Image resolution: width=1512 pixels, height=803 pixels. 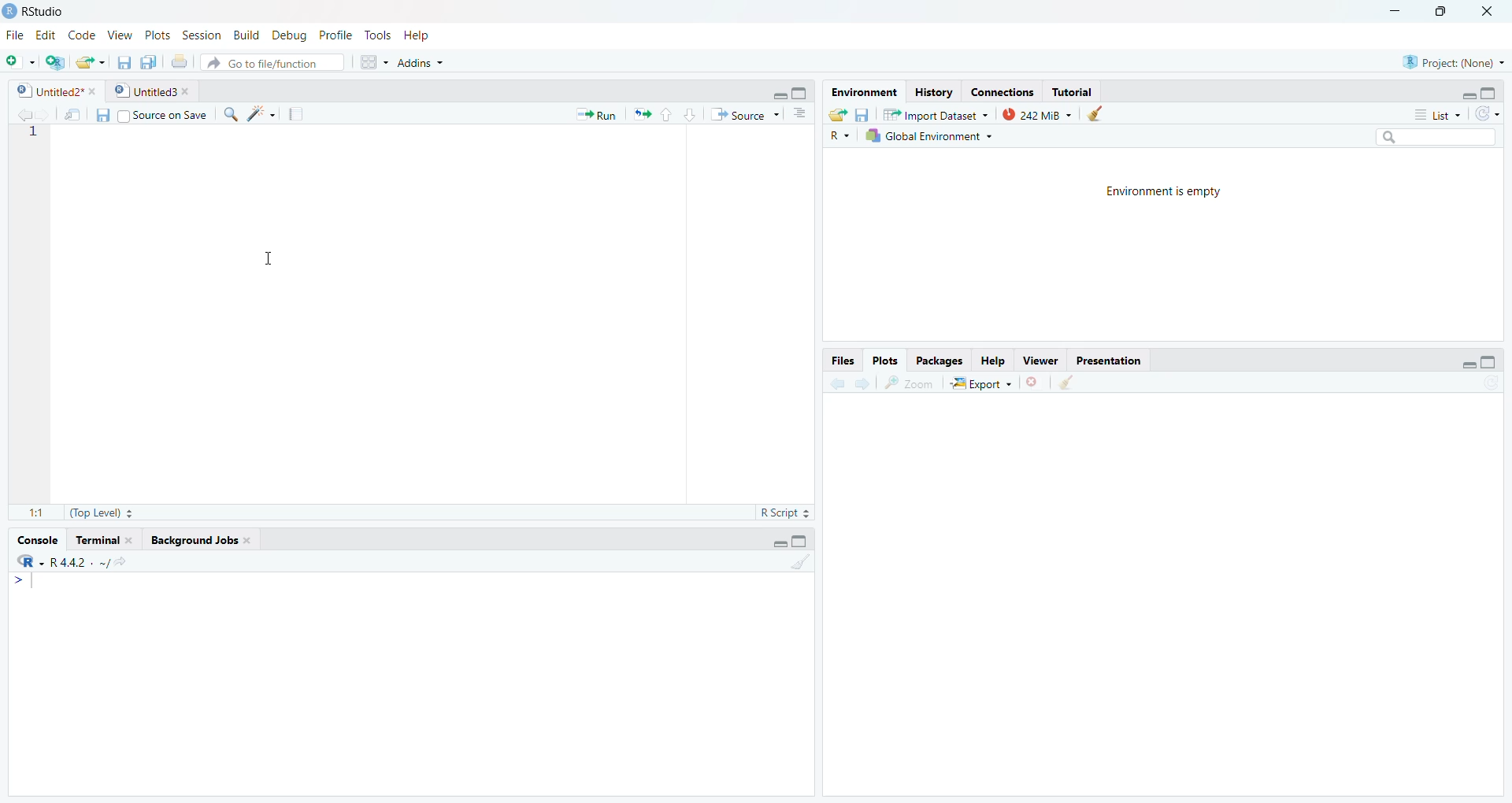 I want to click on Export, so click(x=980, y=383).